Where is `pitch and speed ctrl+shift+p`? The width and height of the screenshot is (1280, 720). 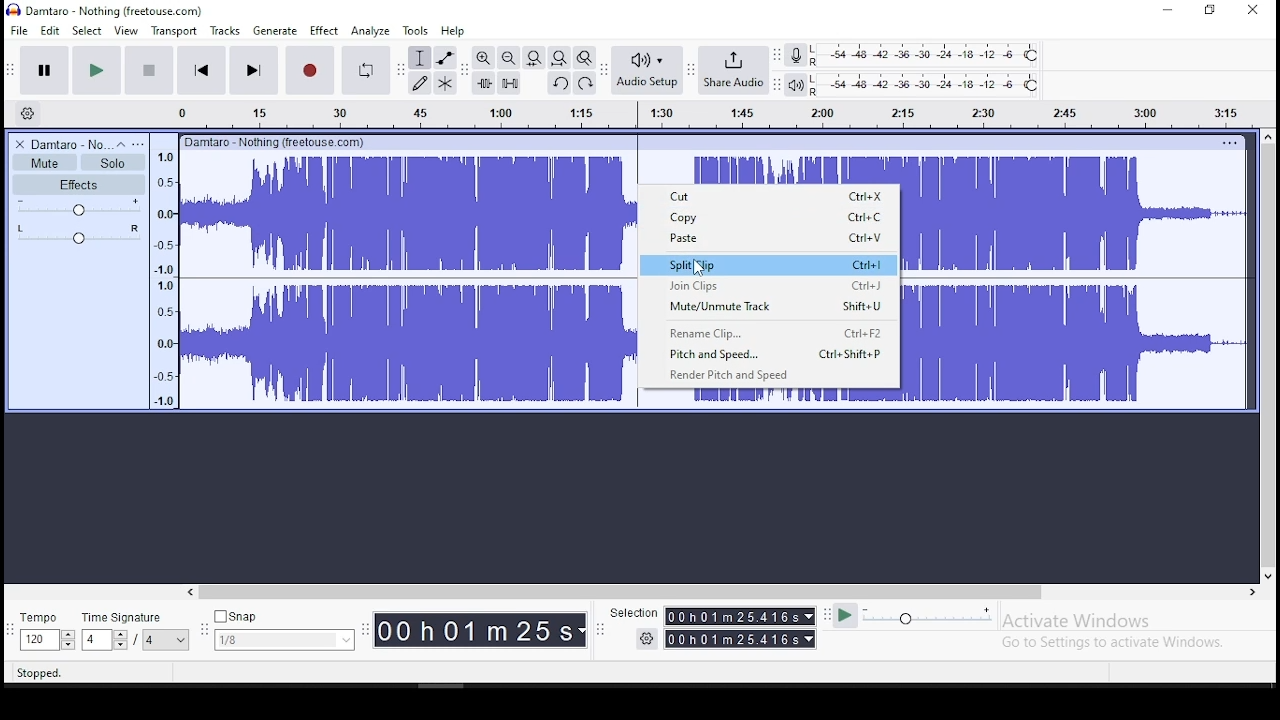
pitch and speed ctrl+shift+p is located at coordinates (778, 353).